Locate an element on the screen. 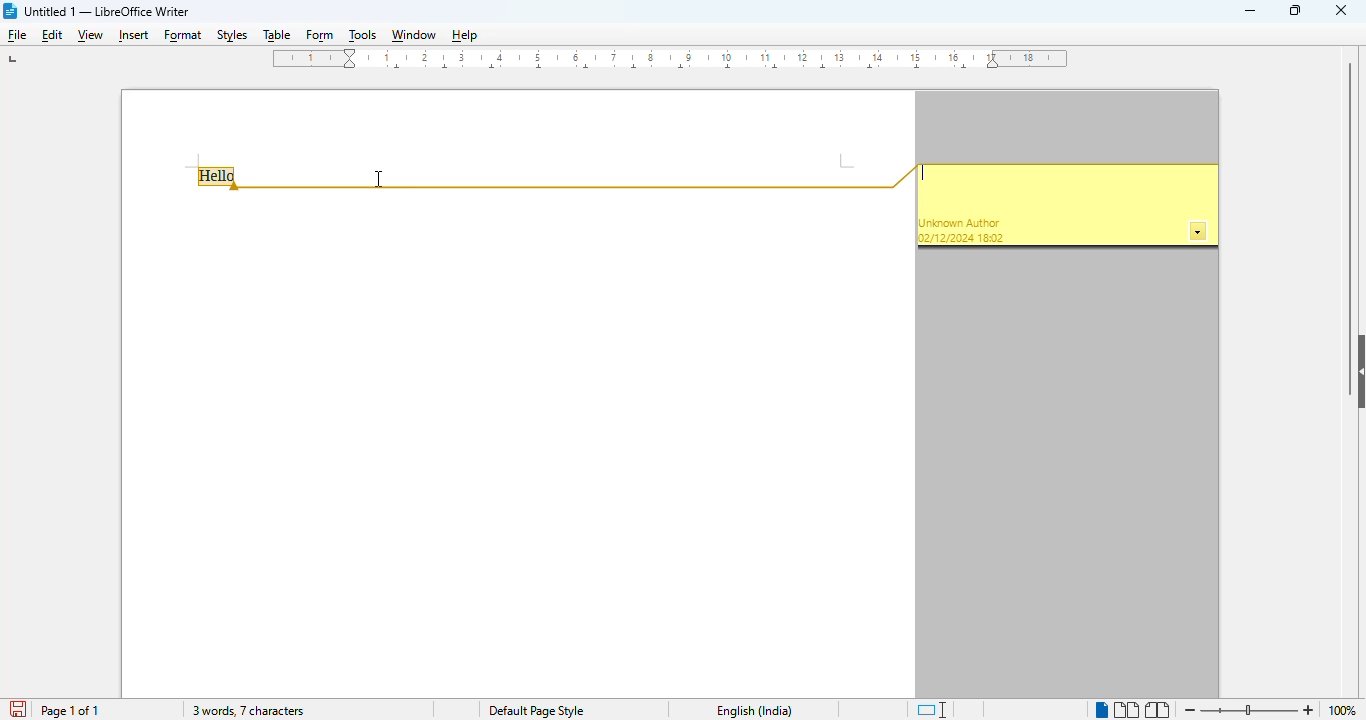 Image resolution: width=1366 pixels, height=720 pixels. zoom is located at coordinates (1249, 709).